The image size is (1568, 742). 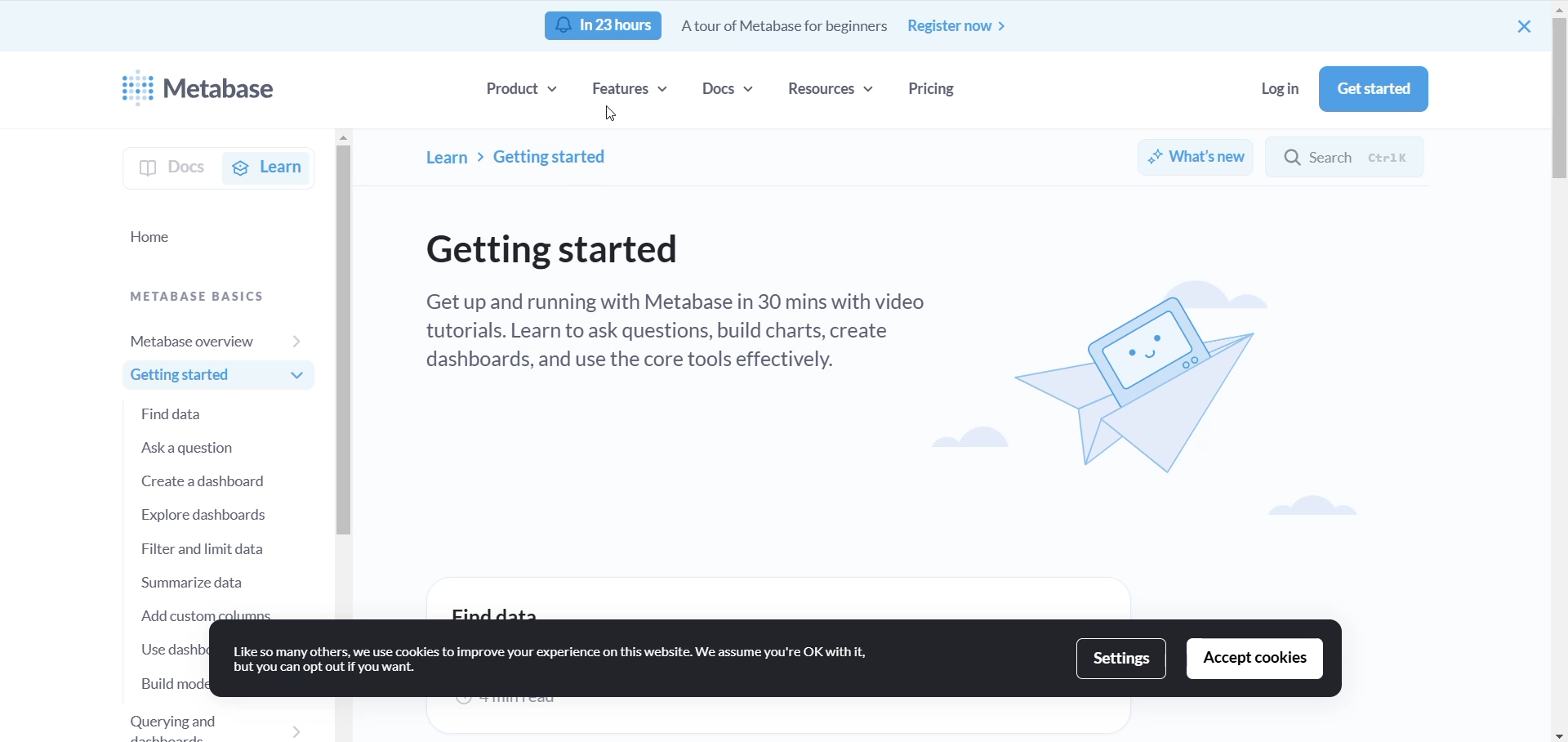 I want to click on home, so click(x=156, y=235).